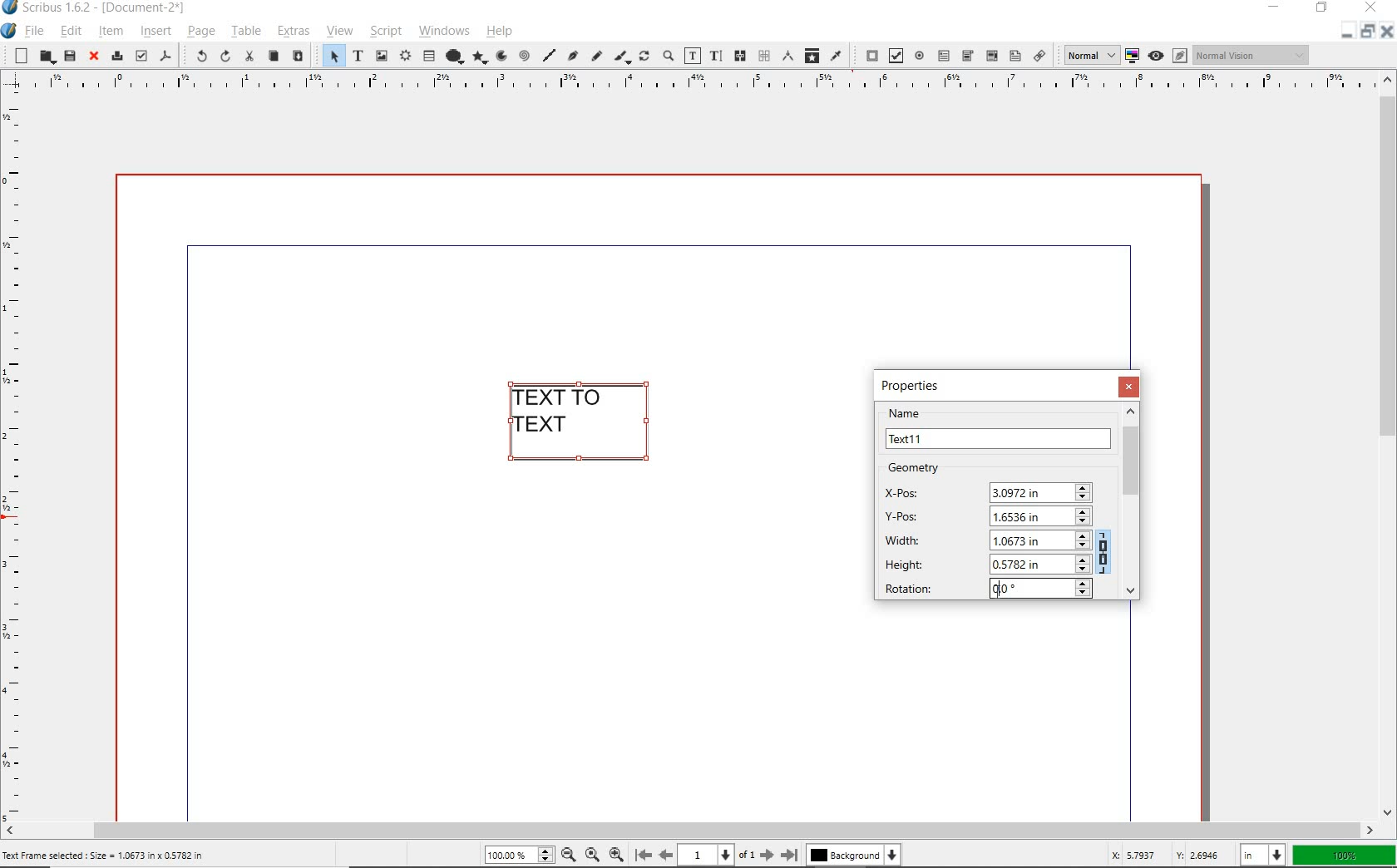 The image size is (1397, 868). I want to click on preflight verifier, so click(141, 57).